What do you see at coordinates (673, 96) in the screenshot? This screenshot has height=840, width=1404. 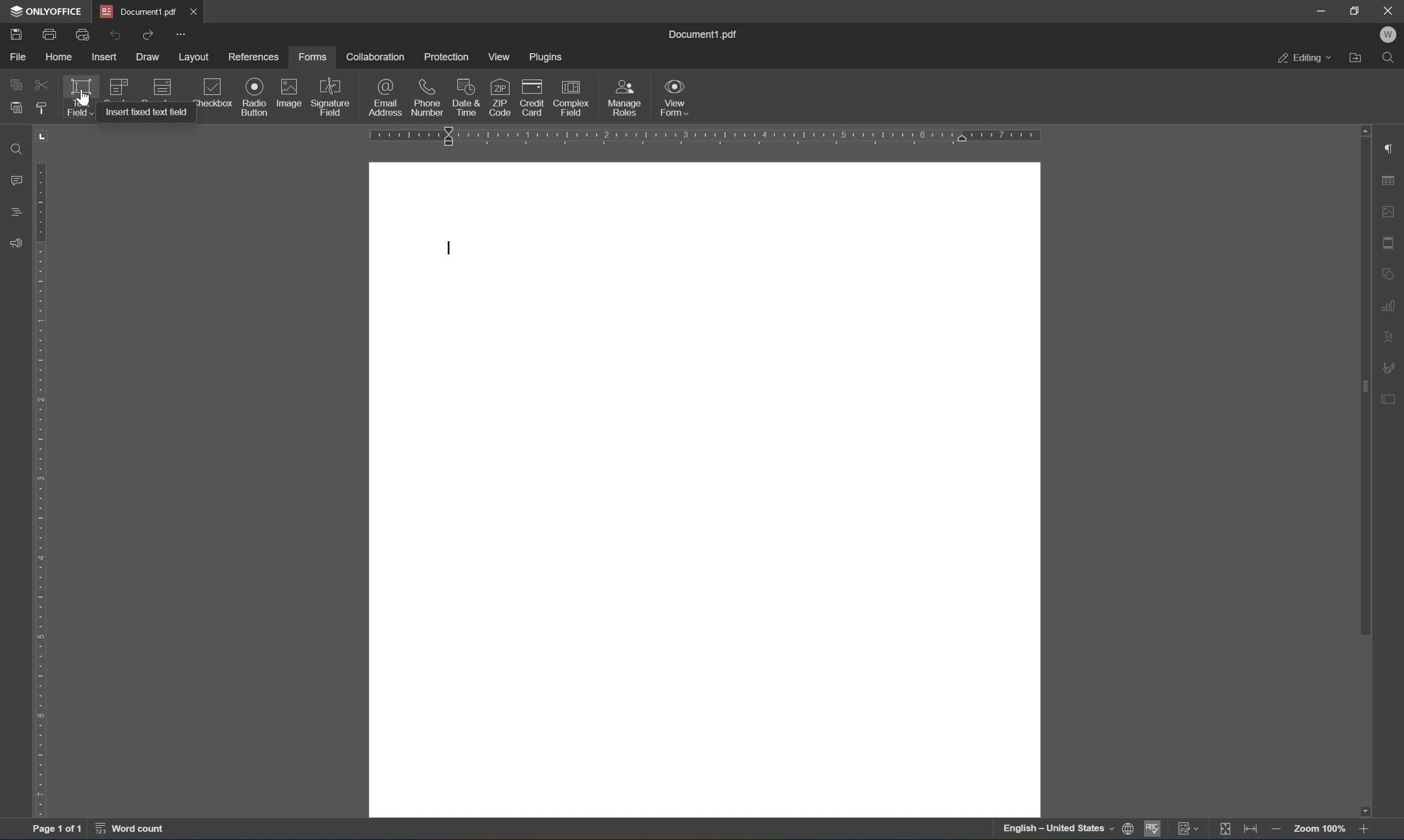 I see `view form` at bounding box center [673, 96].